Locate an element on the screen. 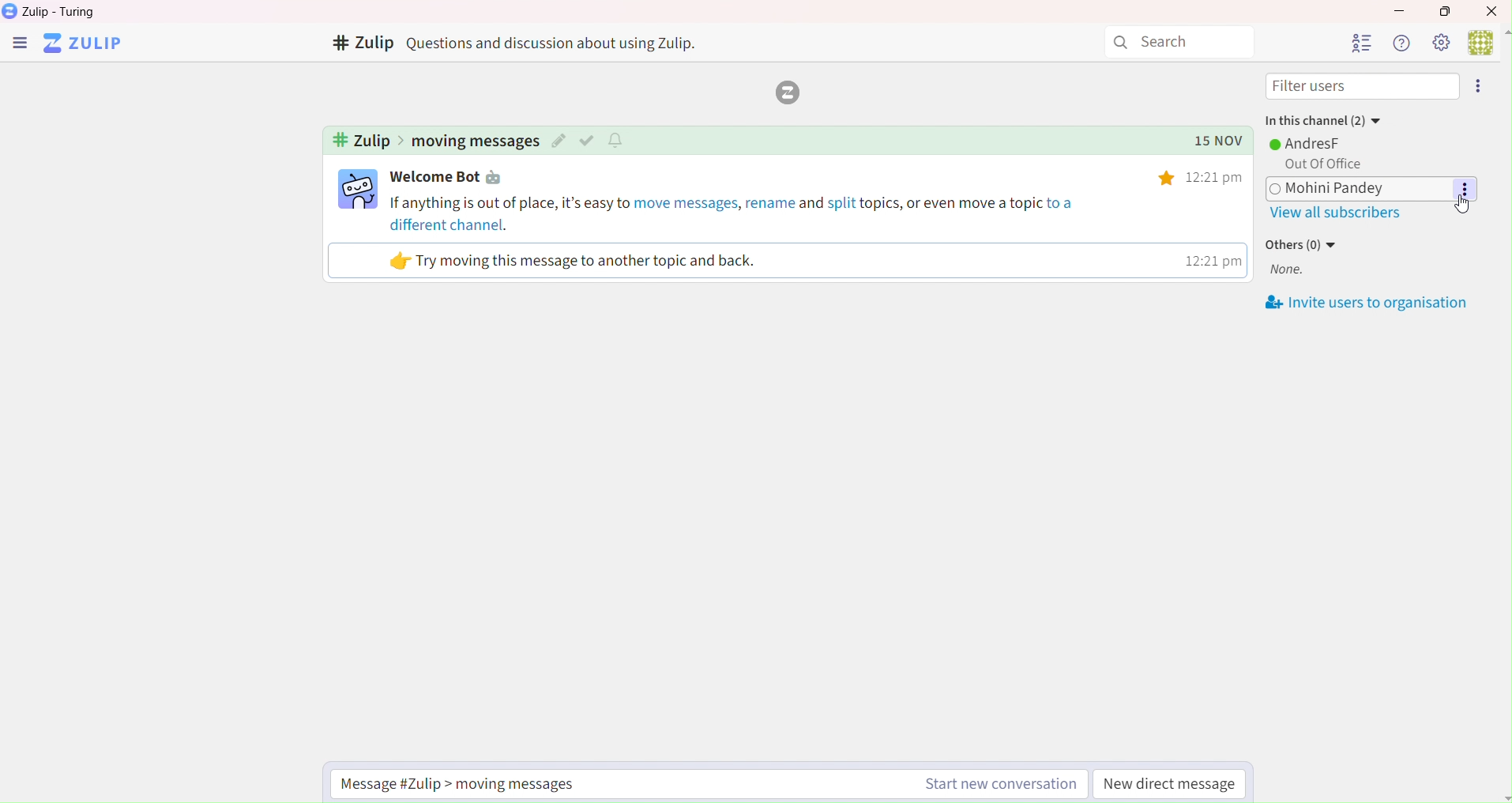 The width and height of the screenshot is (1512, 803). Invite users to organization is located at coordinates (1368, 303).